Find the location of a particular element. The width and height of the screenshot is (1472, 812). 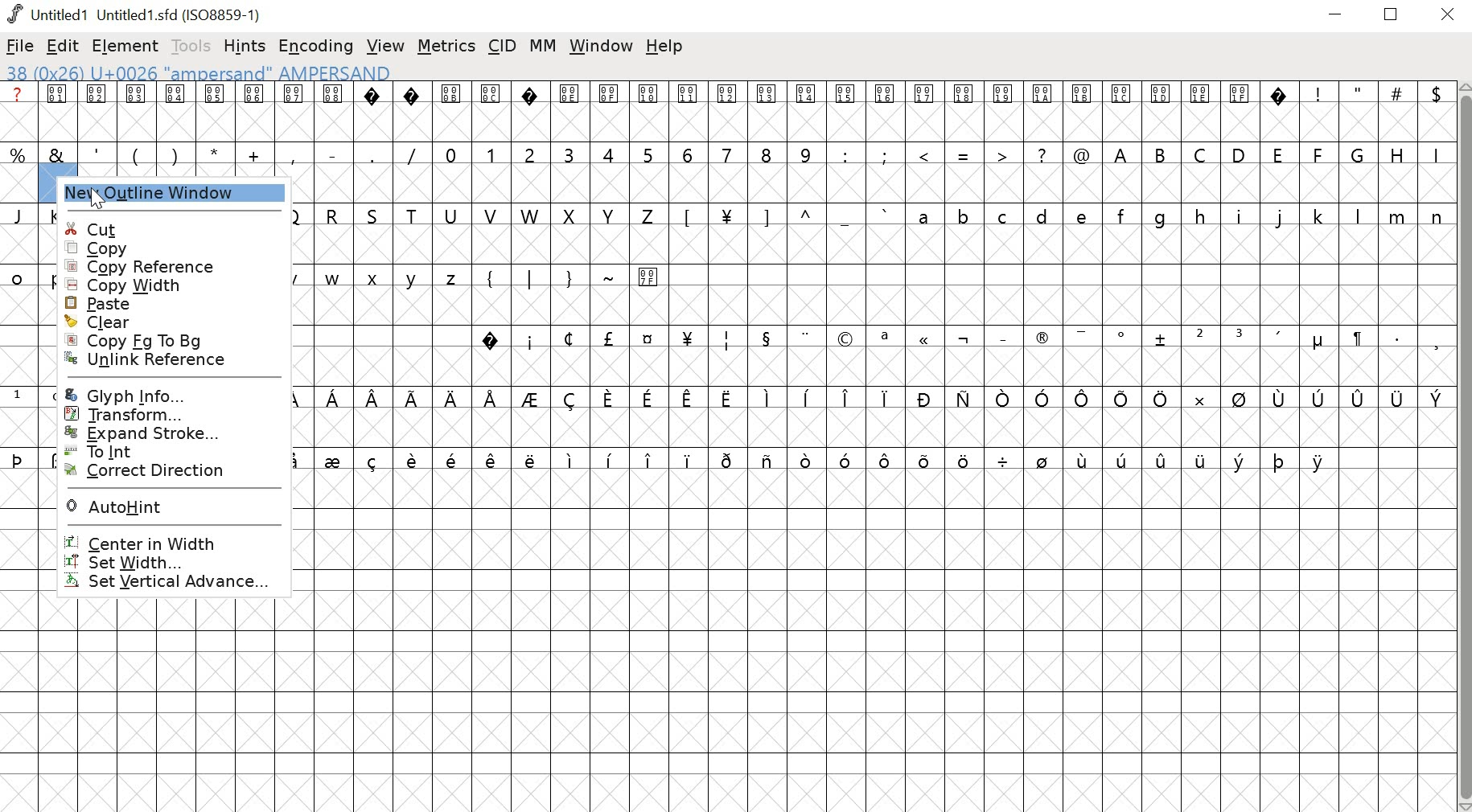

symbol is located at coordinates (883, 396).